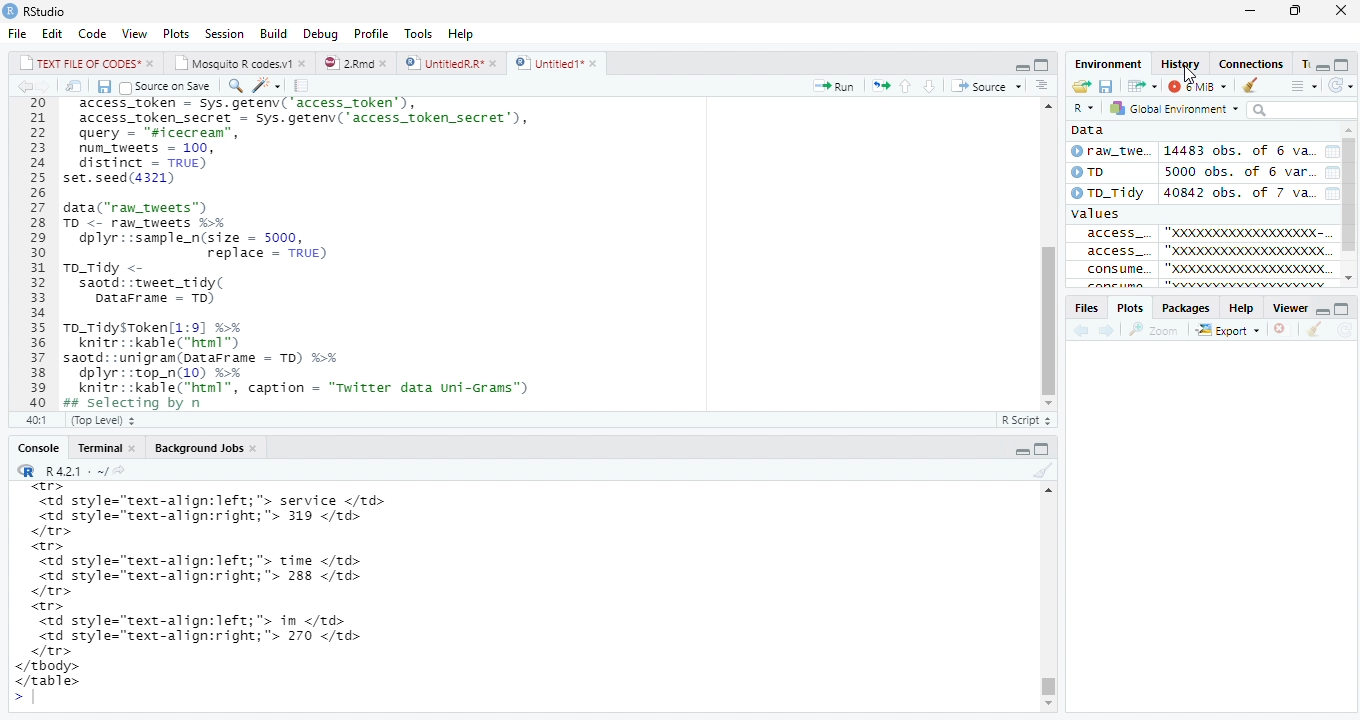 This screenshot has width=1360, height=720. I want to click on View, so click(134, 32).